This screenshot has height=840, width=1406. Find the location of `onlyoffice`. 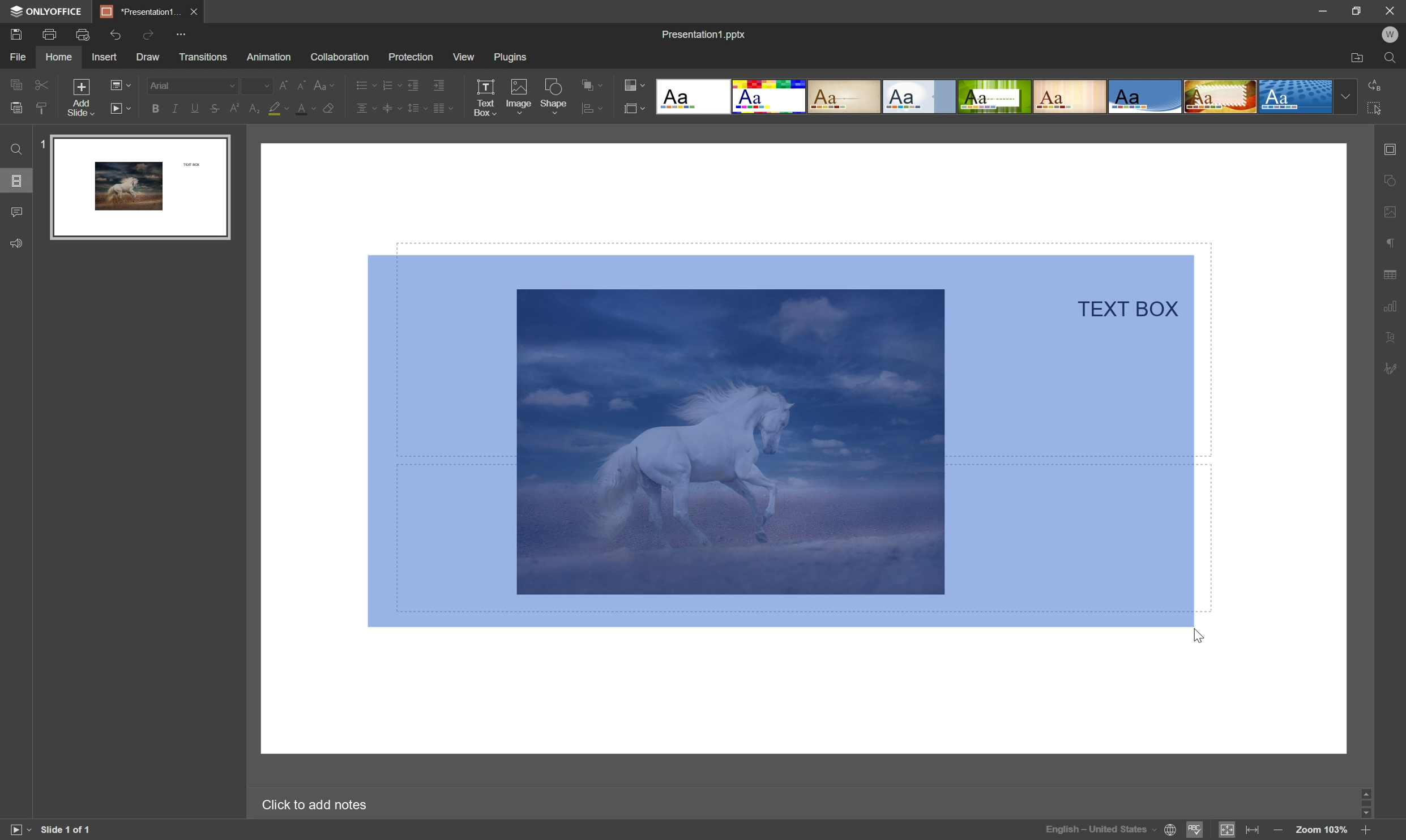

onlyoffice is located at coordinates (48, 11).